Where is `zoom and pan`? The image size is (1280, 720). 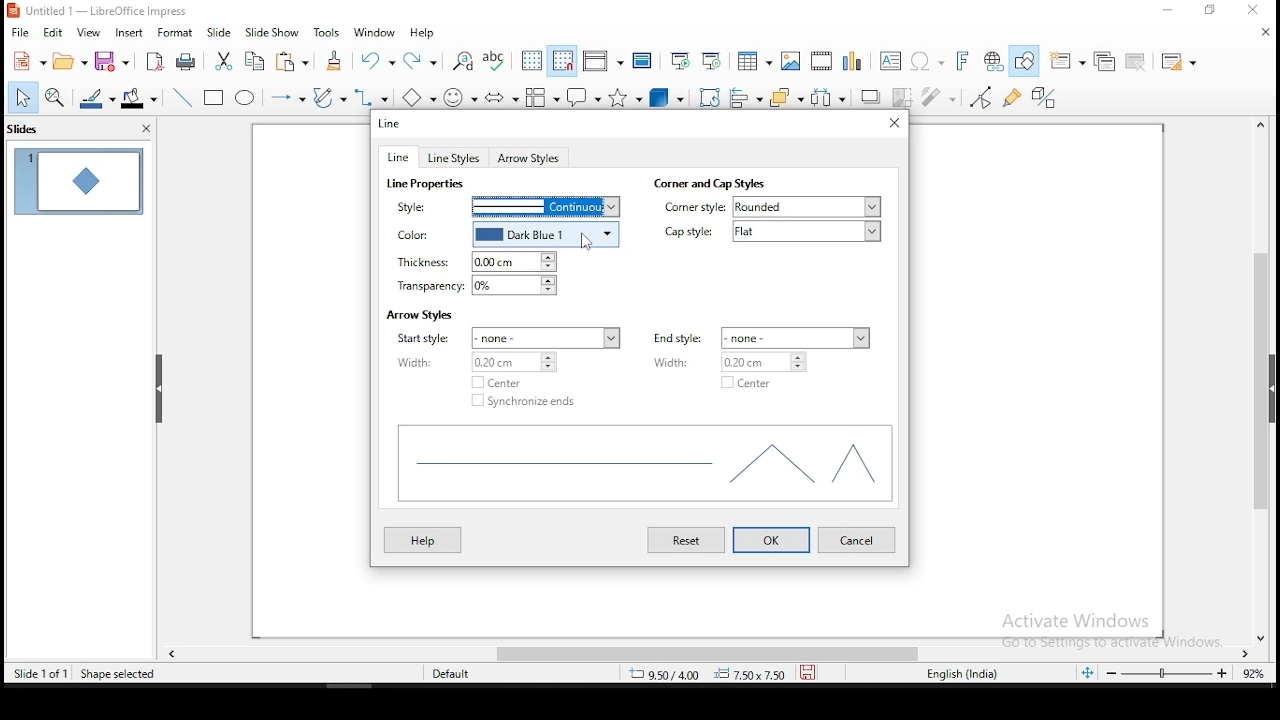 zoom and pan is located at coordinates (55, 100).